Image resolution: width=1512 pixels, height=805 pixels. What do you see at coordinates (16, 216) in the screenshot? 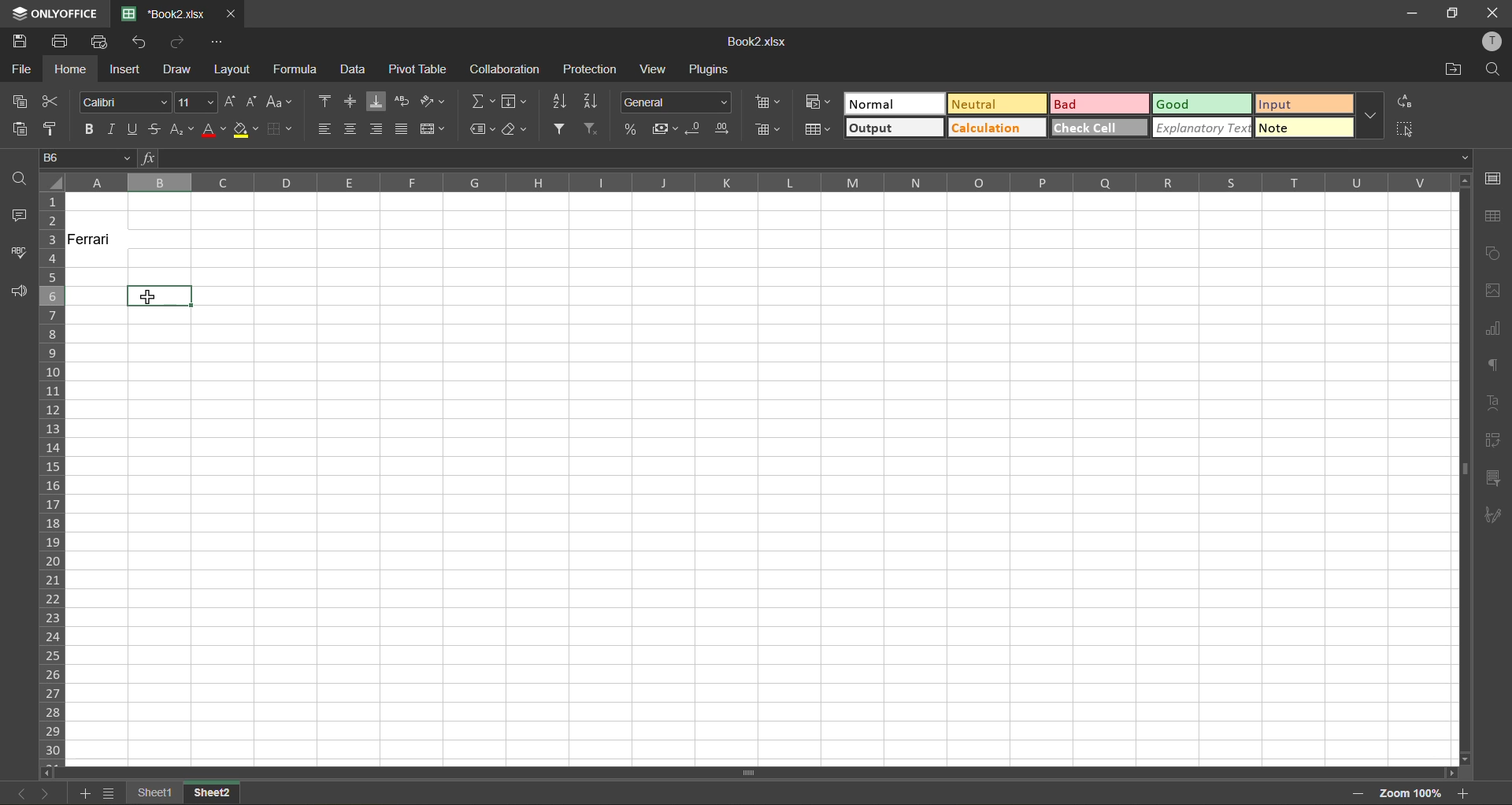
I see `comments` at bounding box center [16, 216].